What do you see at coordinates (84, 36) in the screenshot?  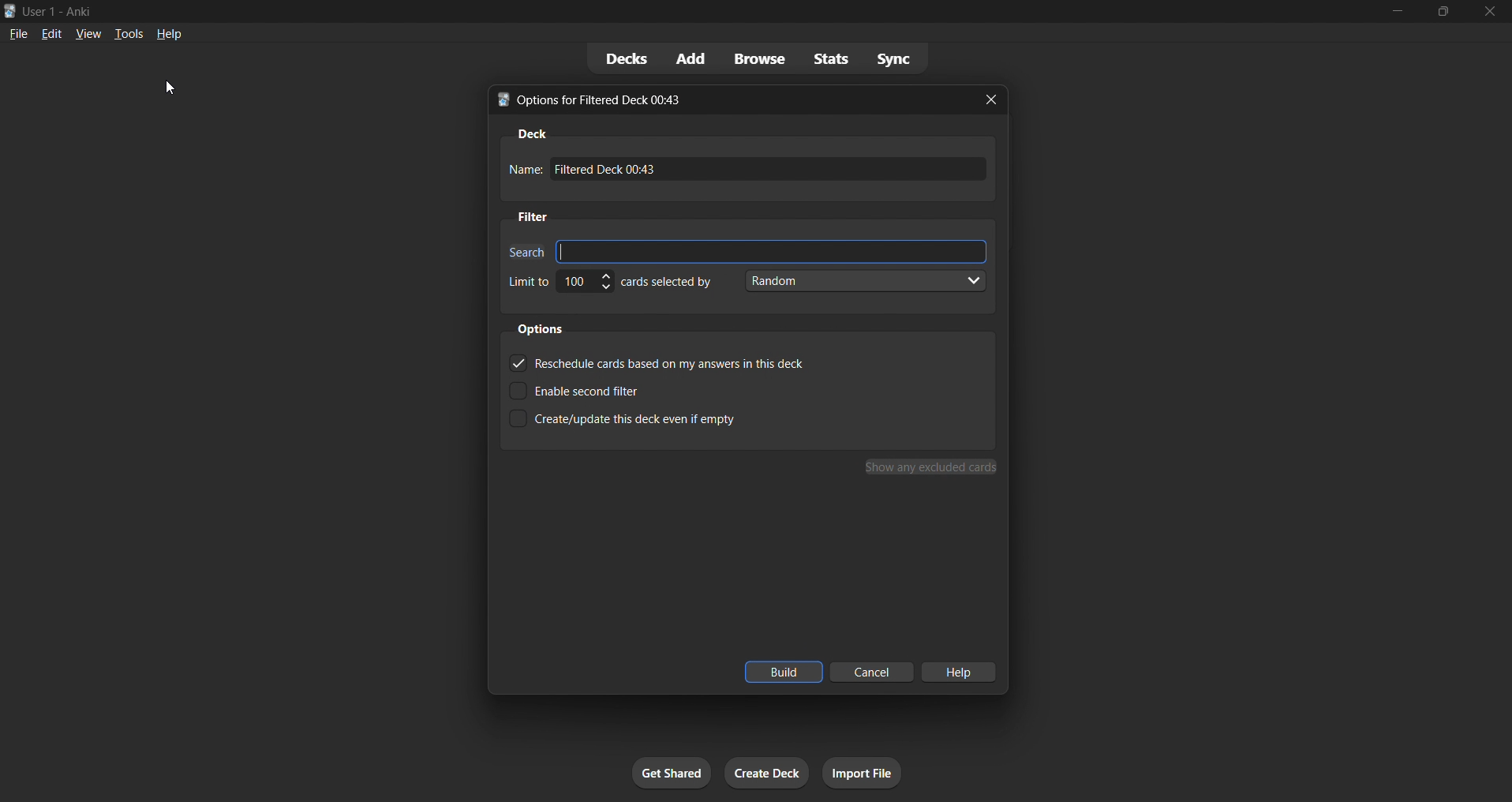 I see `view` at bounding box center [84, 36].